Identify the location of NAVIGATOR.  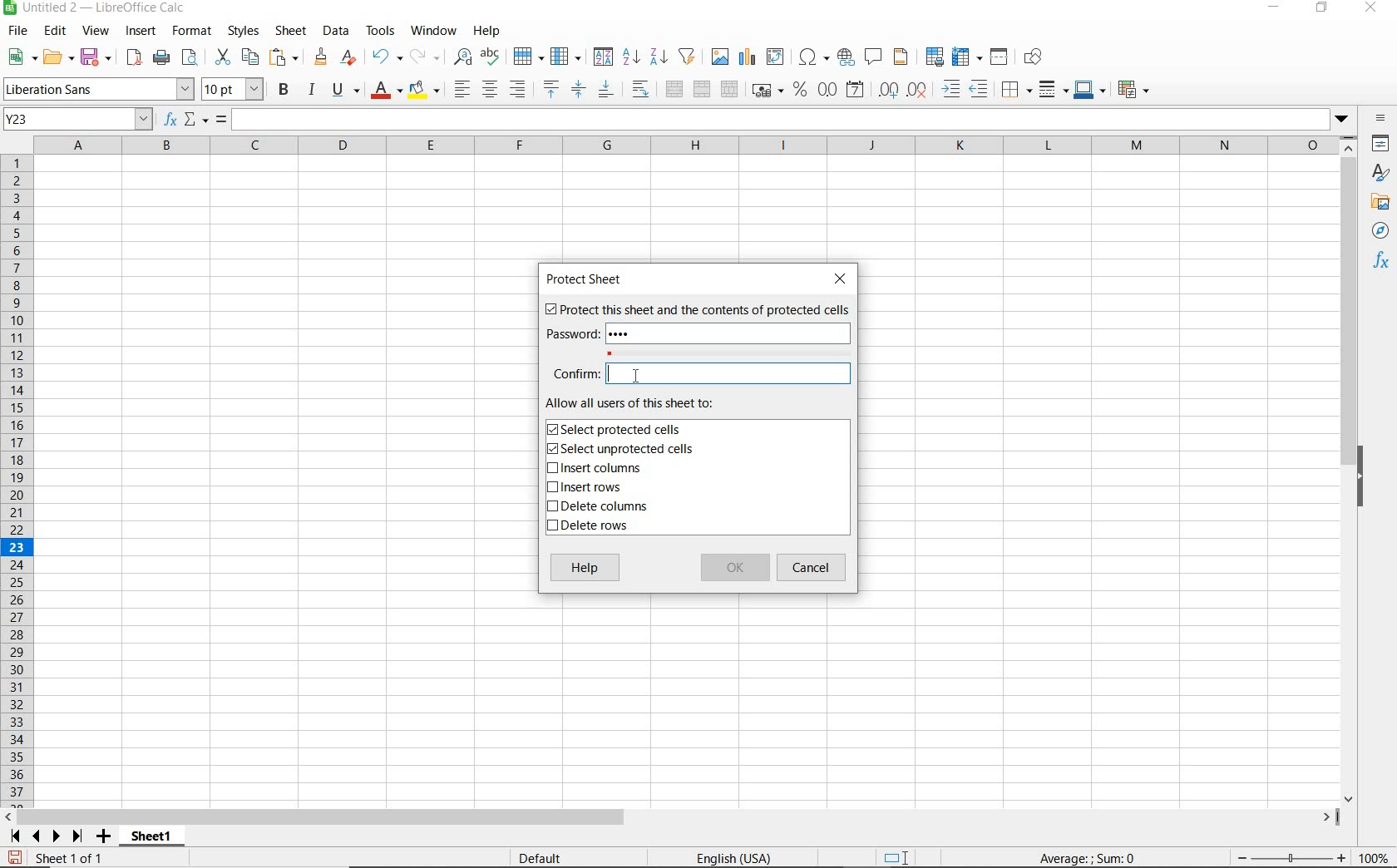
(1380, 232).